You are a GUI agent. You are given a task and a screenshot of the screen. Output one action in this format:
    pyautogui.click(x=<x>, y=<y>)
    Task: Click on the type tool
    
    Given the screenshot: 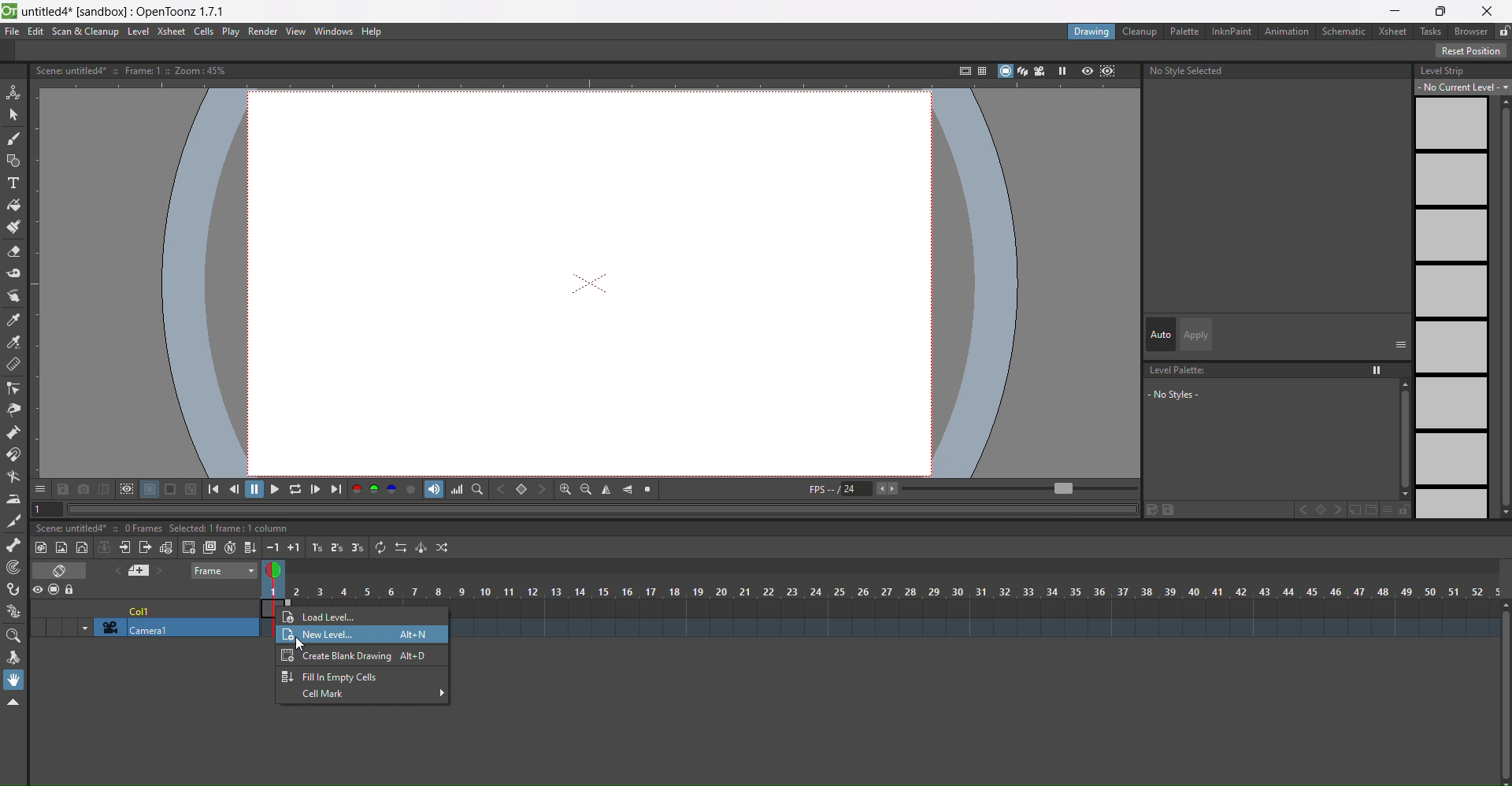 What is the action you would take?
    pyautogui.click(x=13, y=184)
    